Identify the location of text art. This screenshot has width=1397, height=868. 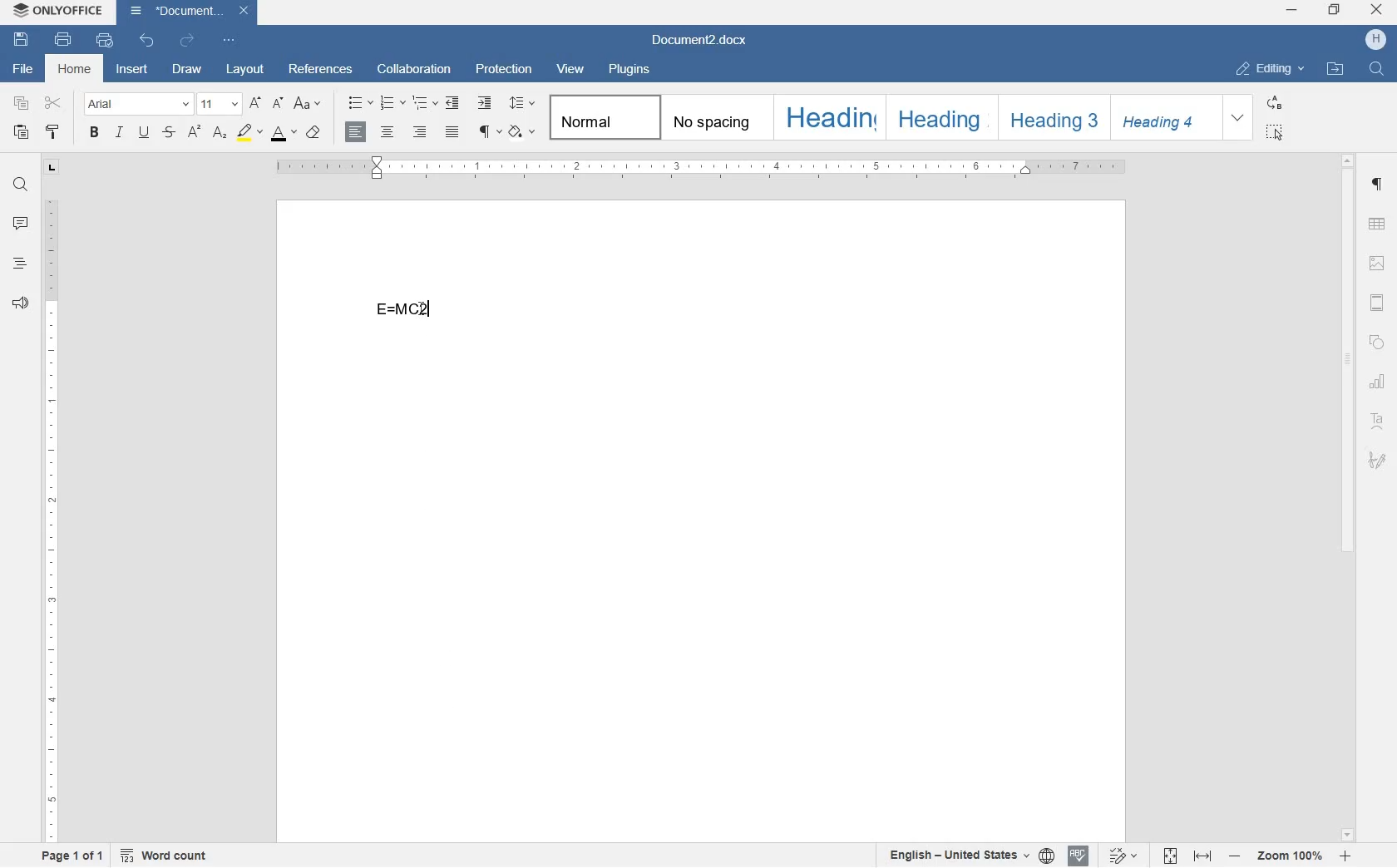
(1380, 422).